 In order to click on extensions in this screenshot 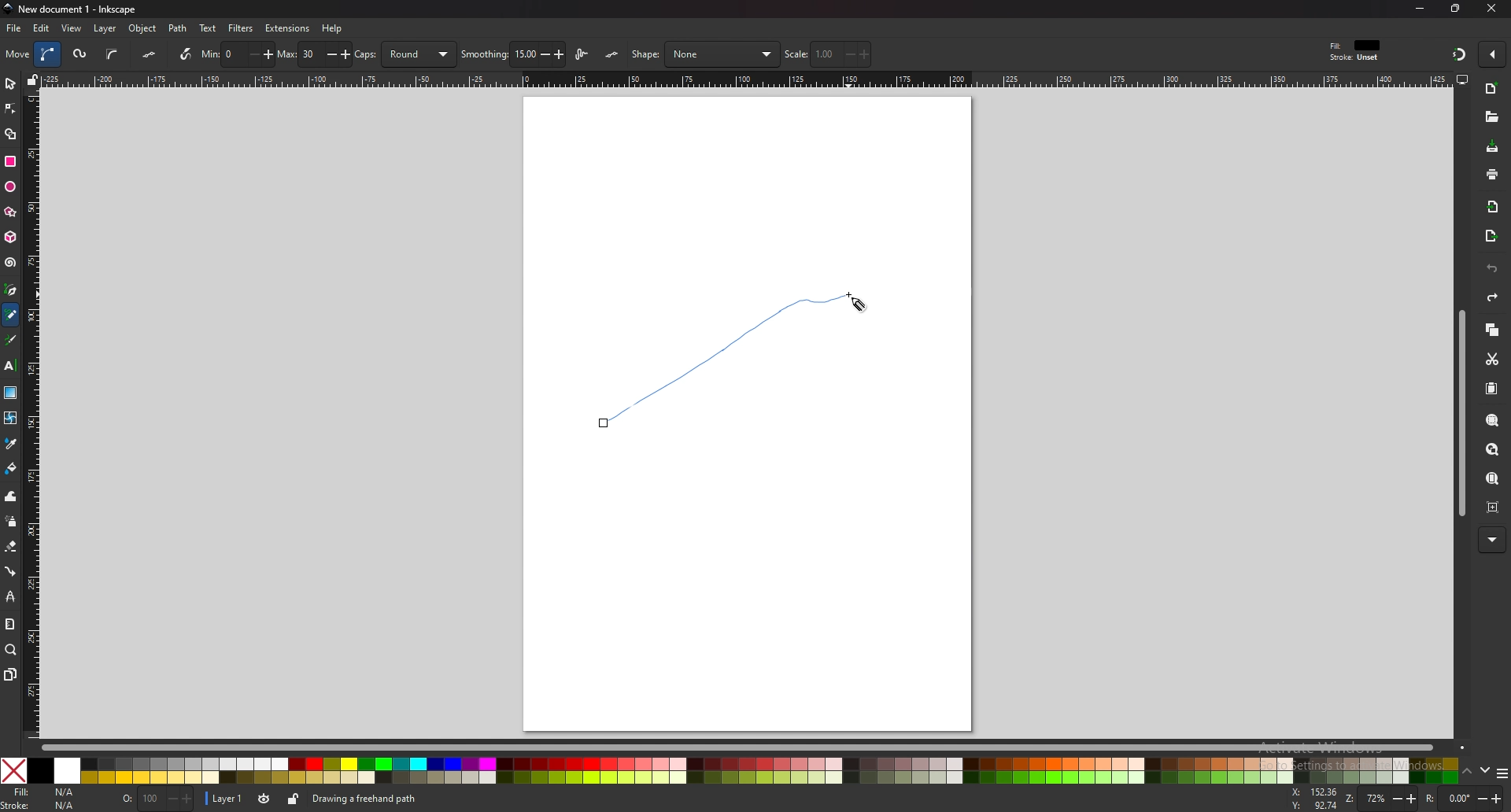, I will do `click(288, 28)`.